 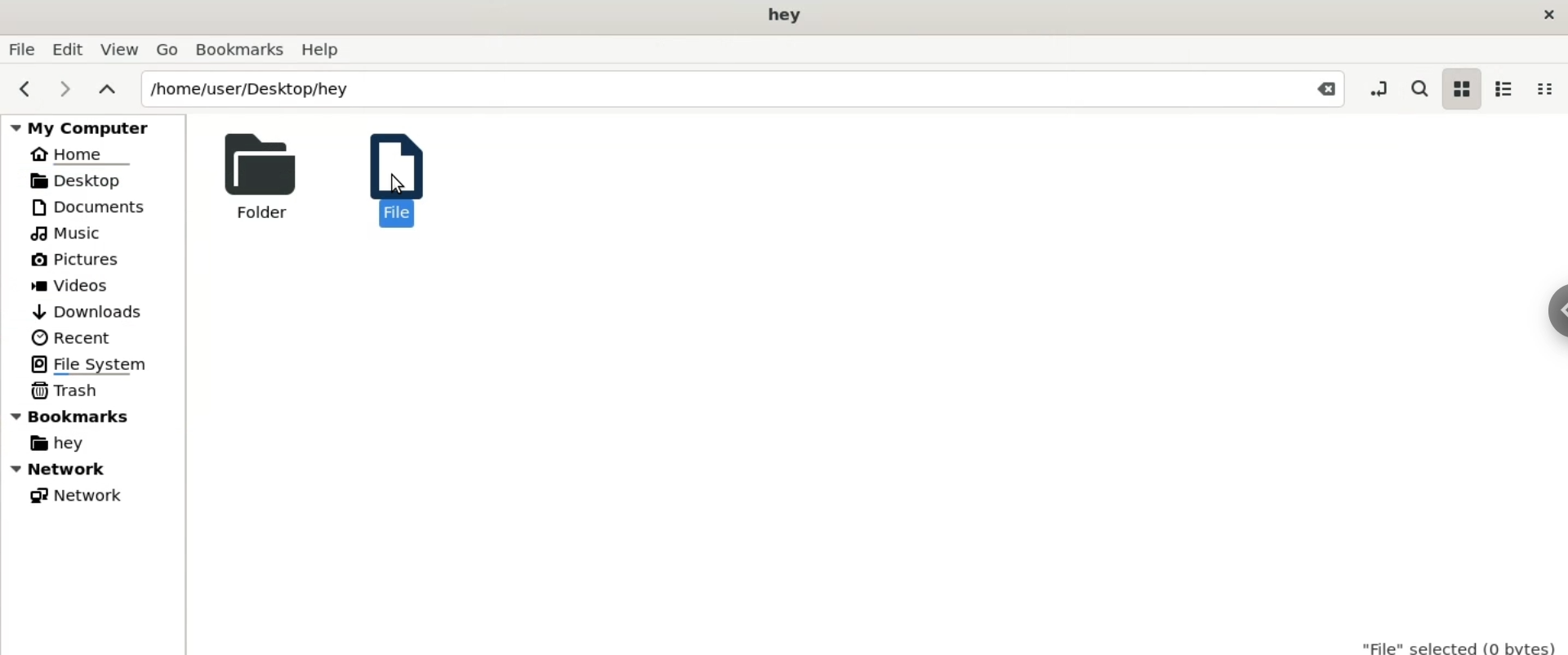 What do you see at coordinates (70, 338) in the screenshot?
I see `recent` at bounding box center [70, 338].